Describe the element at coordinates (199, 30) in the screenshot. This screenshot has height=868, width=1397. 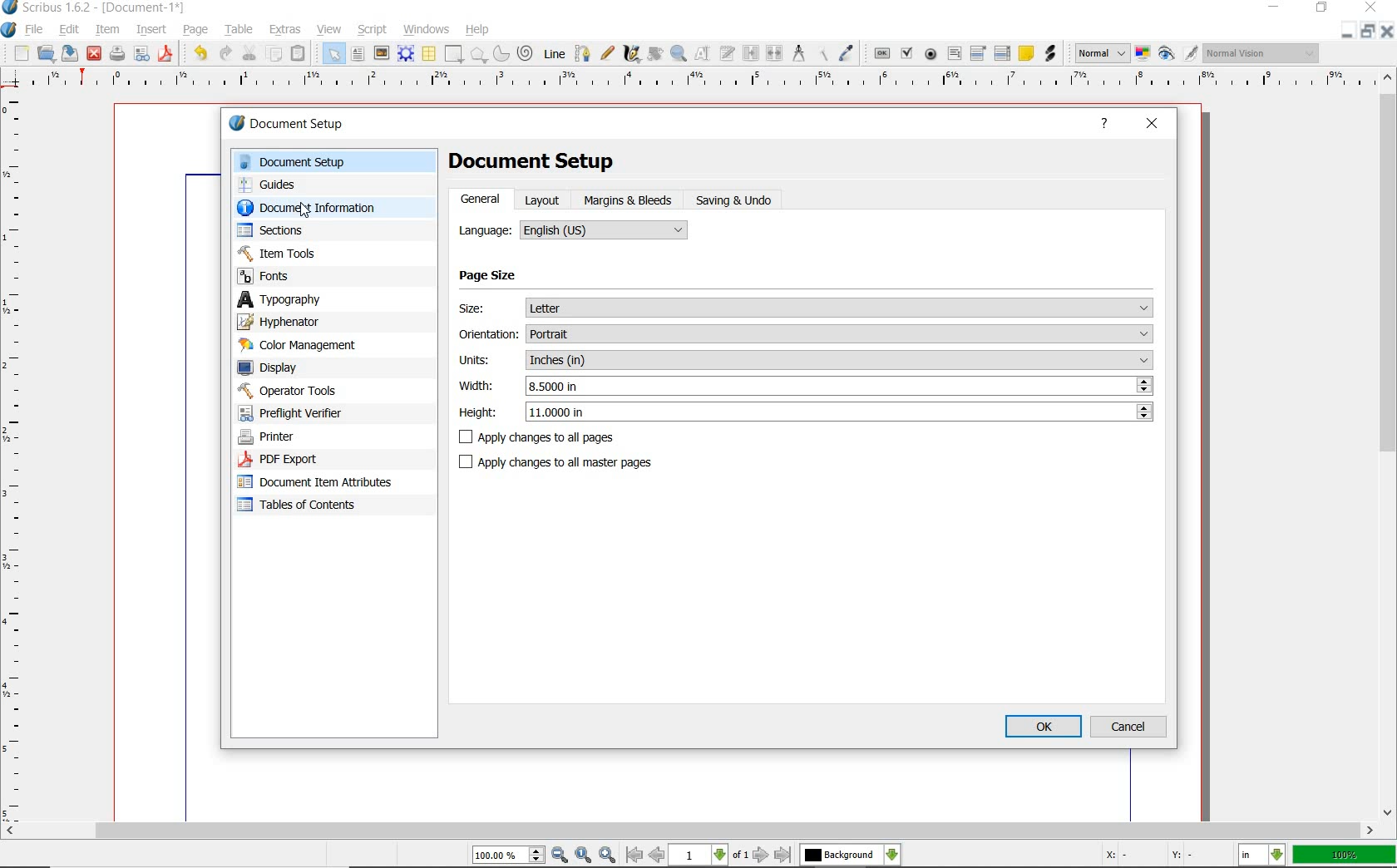
I see `page` at that location.